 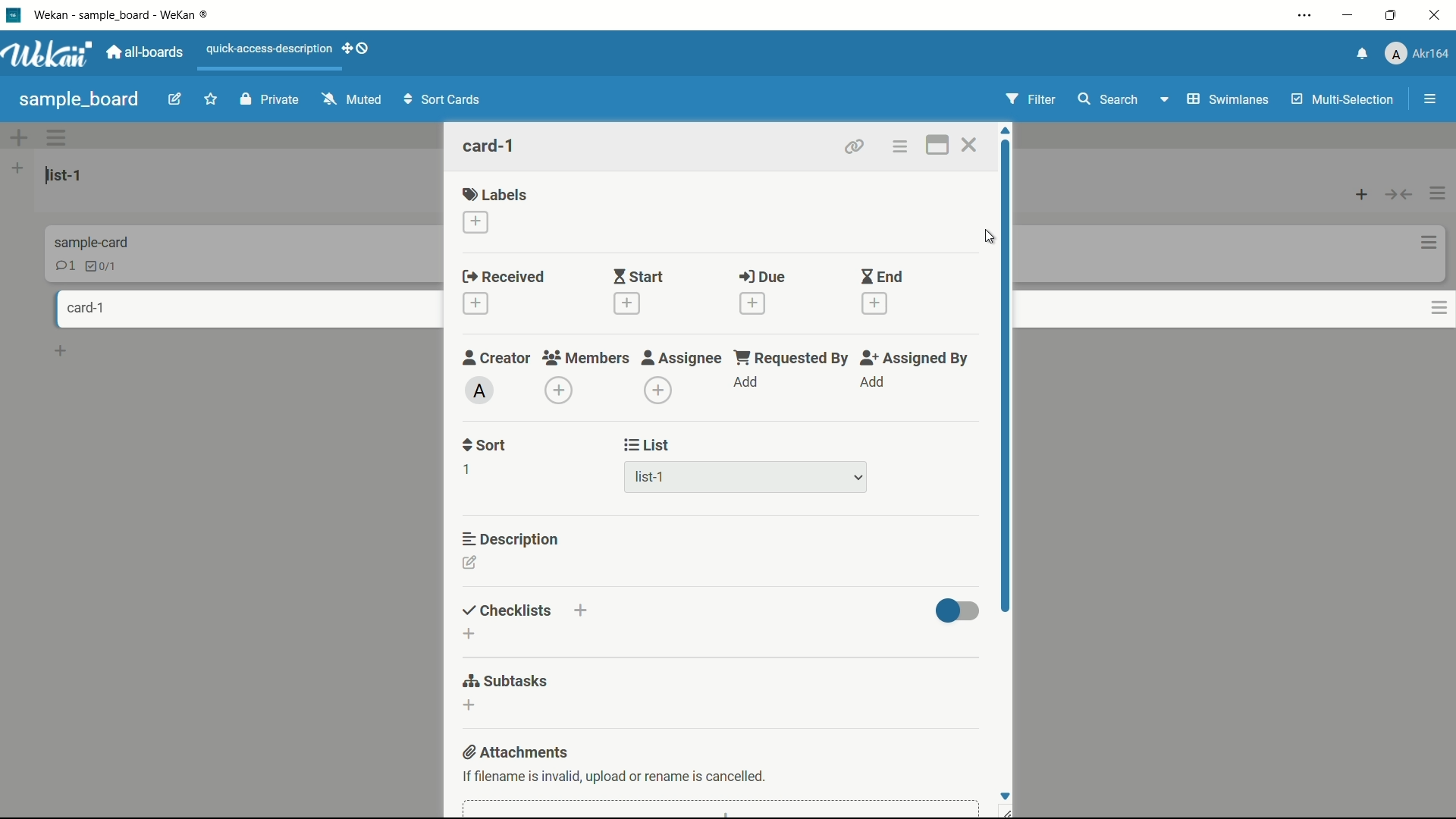 What do you see at coordinates (956, 615) in the screenshot?
I see `toggle button` at bounding box center [956, 615].